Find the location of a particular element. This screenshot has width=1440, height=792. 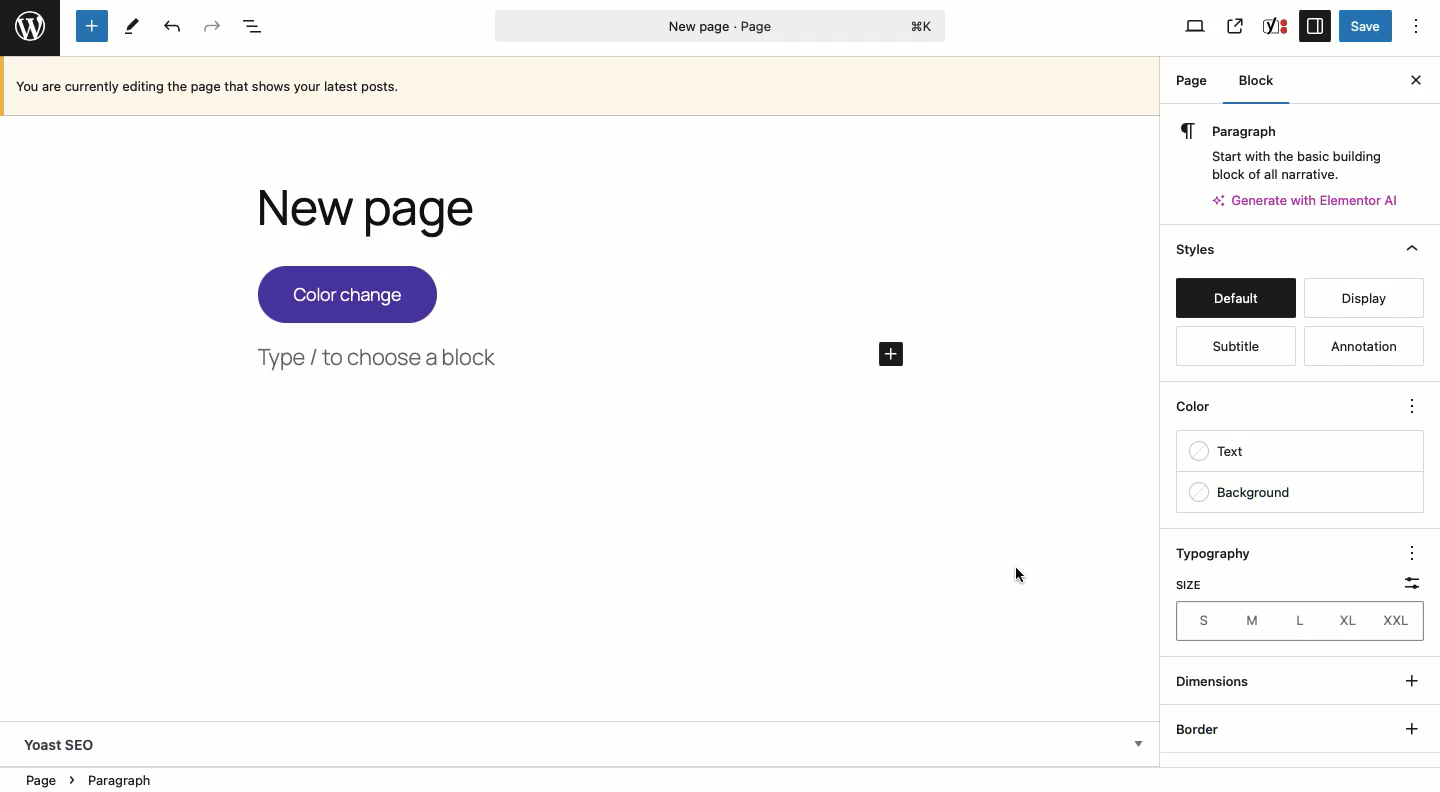

Add new block is located at coordinates (95, 27).